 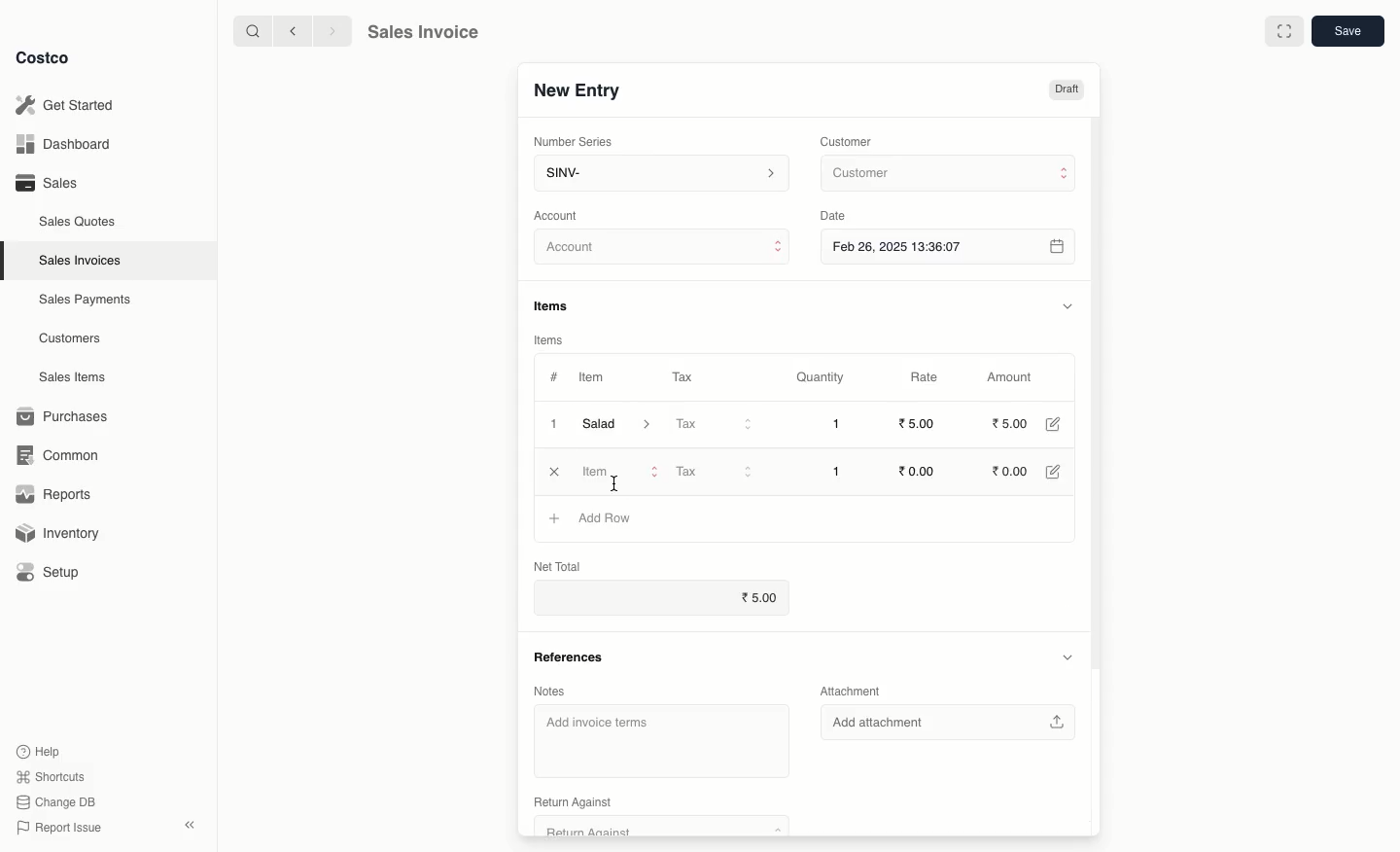 What do you see at coordinates (554, 518) in the screenshot?
I see `Add` at bounding box center [554, 518].